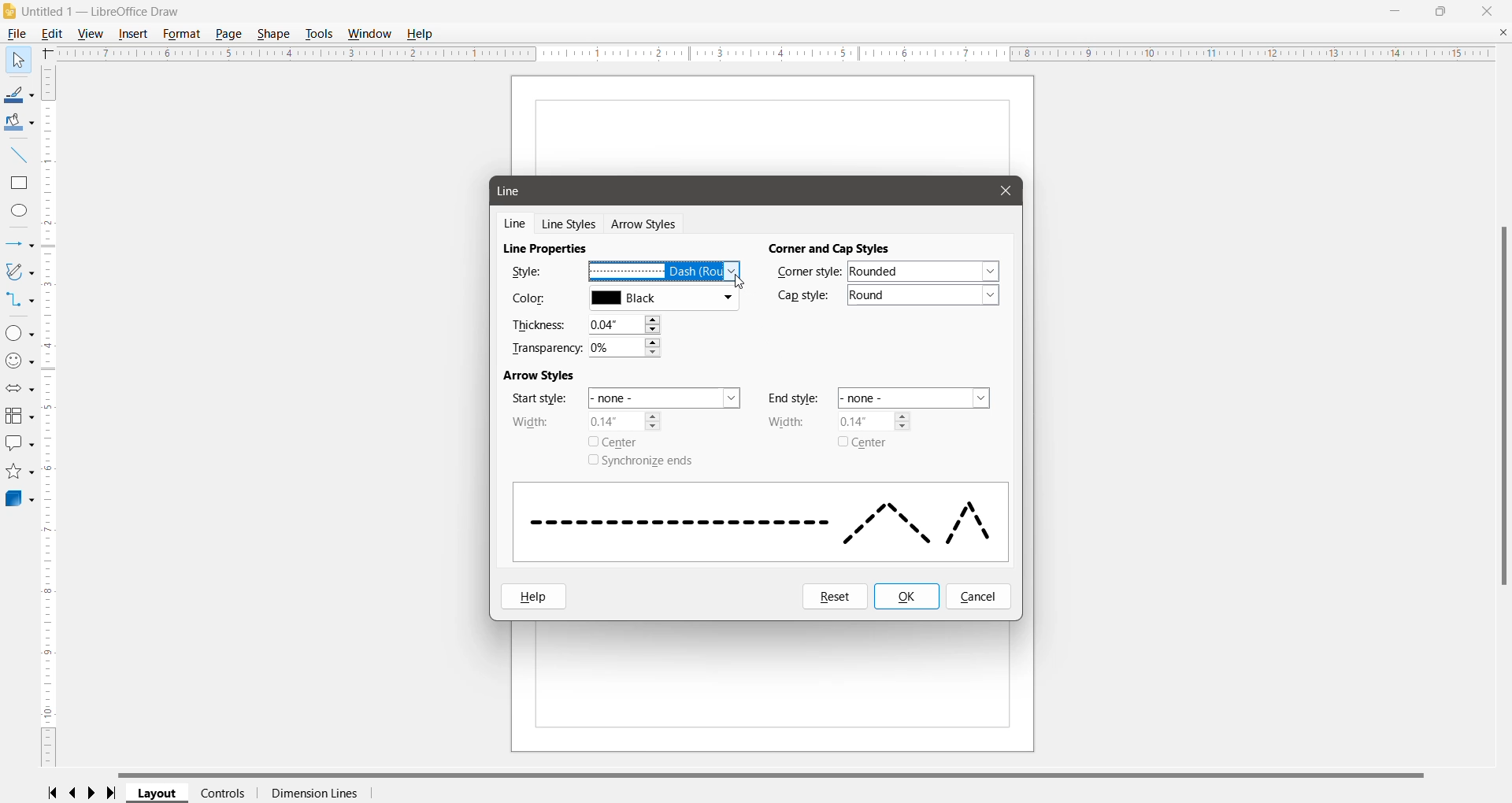 This screenshot has width=1512, height=803. I want to click on Connectors, so click(20, 301).